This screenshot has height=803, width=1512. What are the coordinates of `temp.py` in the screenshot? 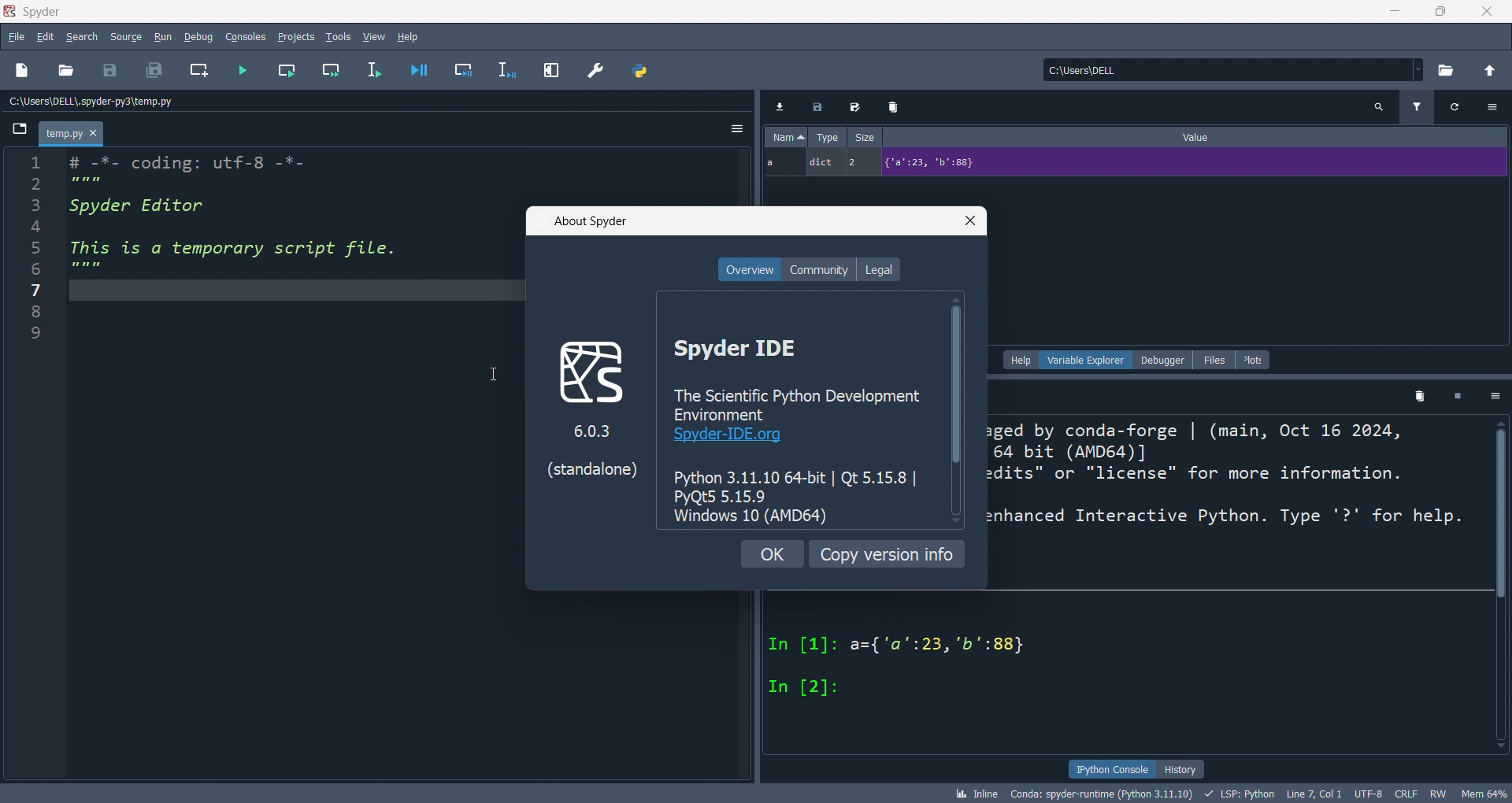 It's located at (71, 134).